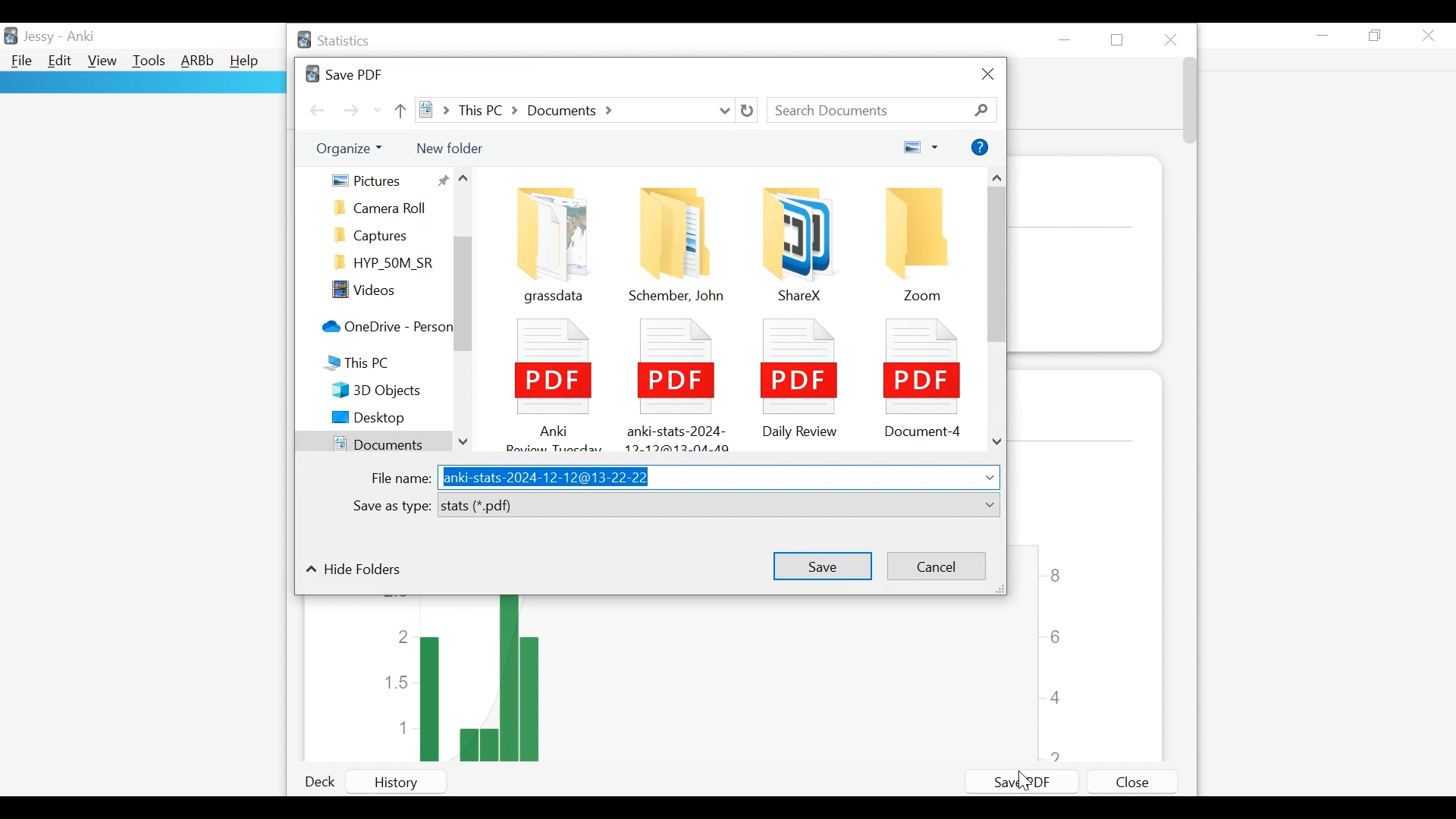 The height and width of the screenshot is (819, 1456). What do you see at coordinates (921, 375) in the screenshot?
I see `PDF` at bounding box center [921, 375].